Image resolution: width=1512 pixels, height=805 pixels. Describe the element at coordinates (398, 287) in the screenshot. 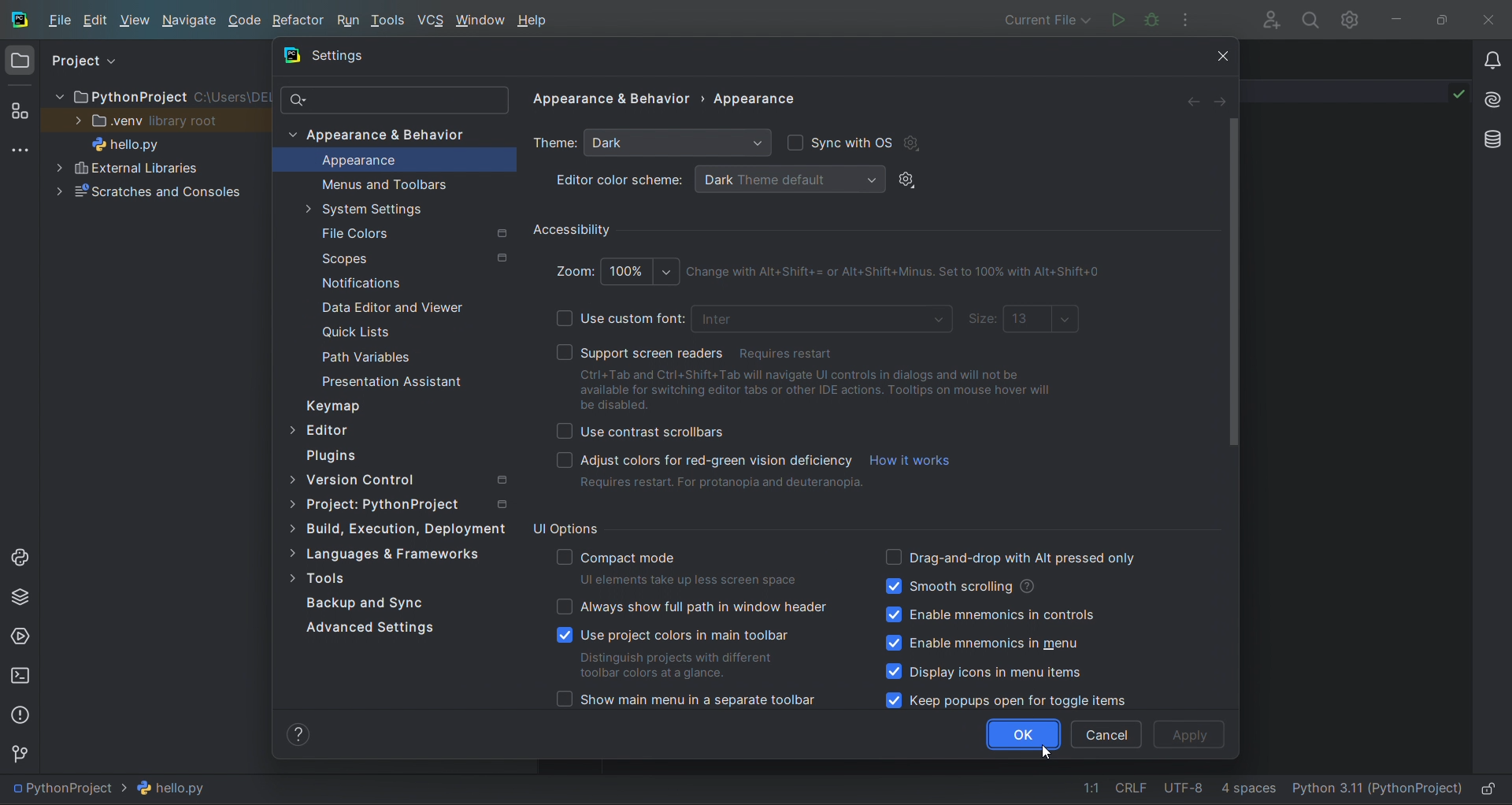

I see `Notification` at that location.